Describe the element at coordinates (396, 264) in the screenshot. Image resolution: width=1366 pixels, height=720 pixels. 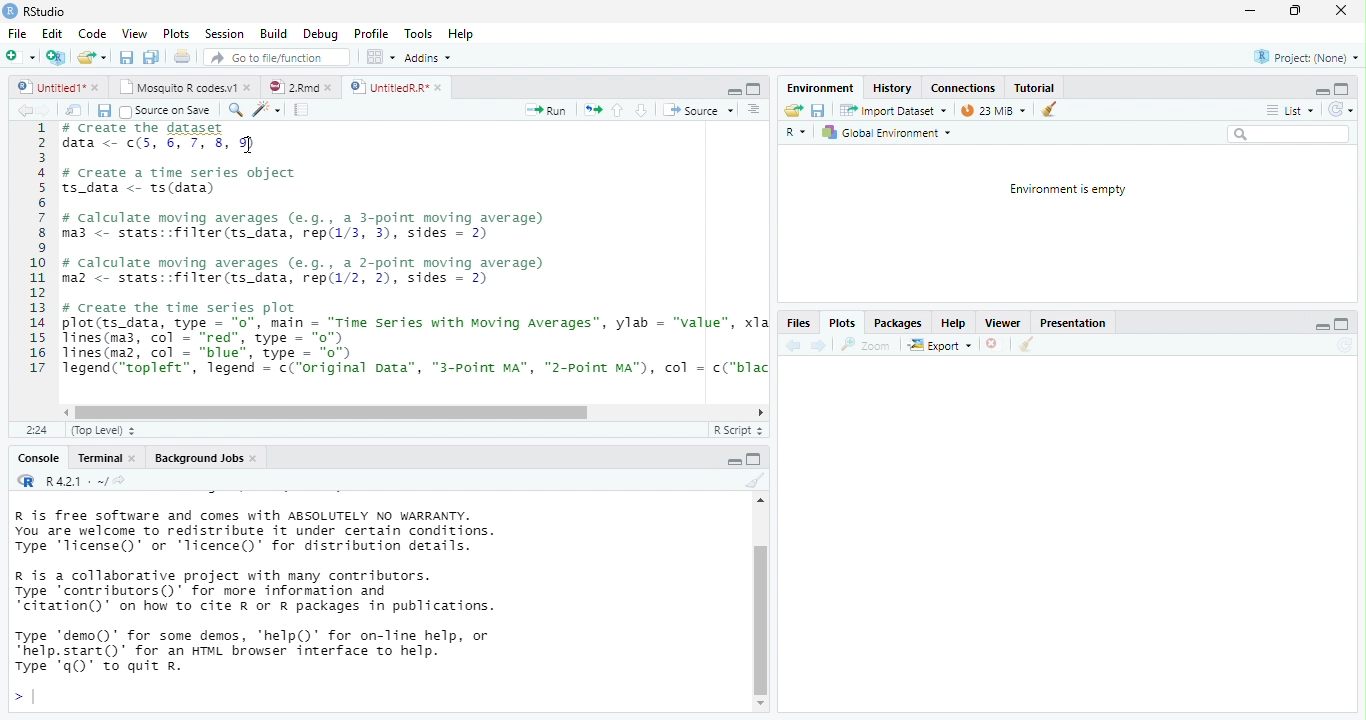
I see `3 4 # Create a time series object5 ts_data <- ts(data)67 # calculate moving averages (e.g., a 3-point moving average)8 ma3 <- stats::filter(ts_data, rep(1/3, 3), sides = 2)910 # calculate moving averages (e.g., a 2-point moving average)11 maz <- stats::filter(ts_data, rep(1/2, 2), sides = 2)1213 # create the time series plot14 plot(ts_data, type = "0", main = "Time series with Moving Averages”, ylab = "value", xla15 Tines(ma3, col = "red", type = "o")16 lines(maz, col = “blue”, type = "0")17 legend("topleft”, legend - c("original pata”, "3-point MA", "2-Point MA™), col = c("blac` at that location.